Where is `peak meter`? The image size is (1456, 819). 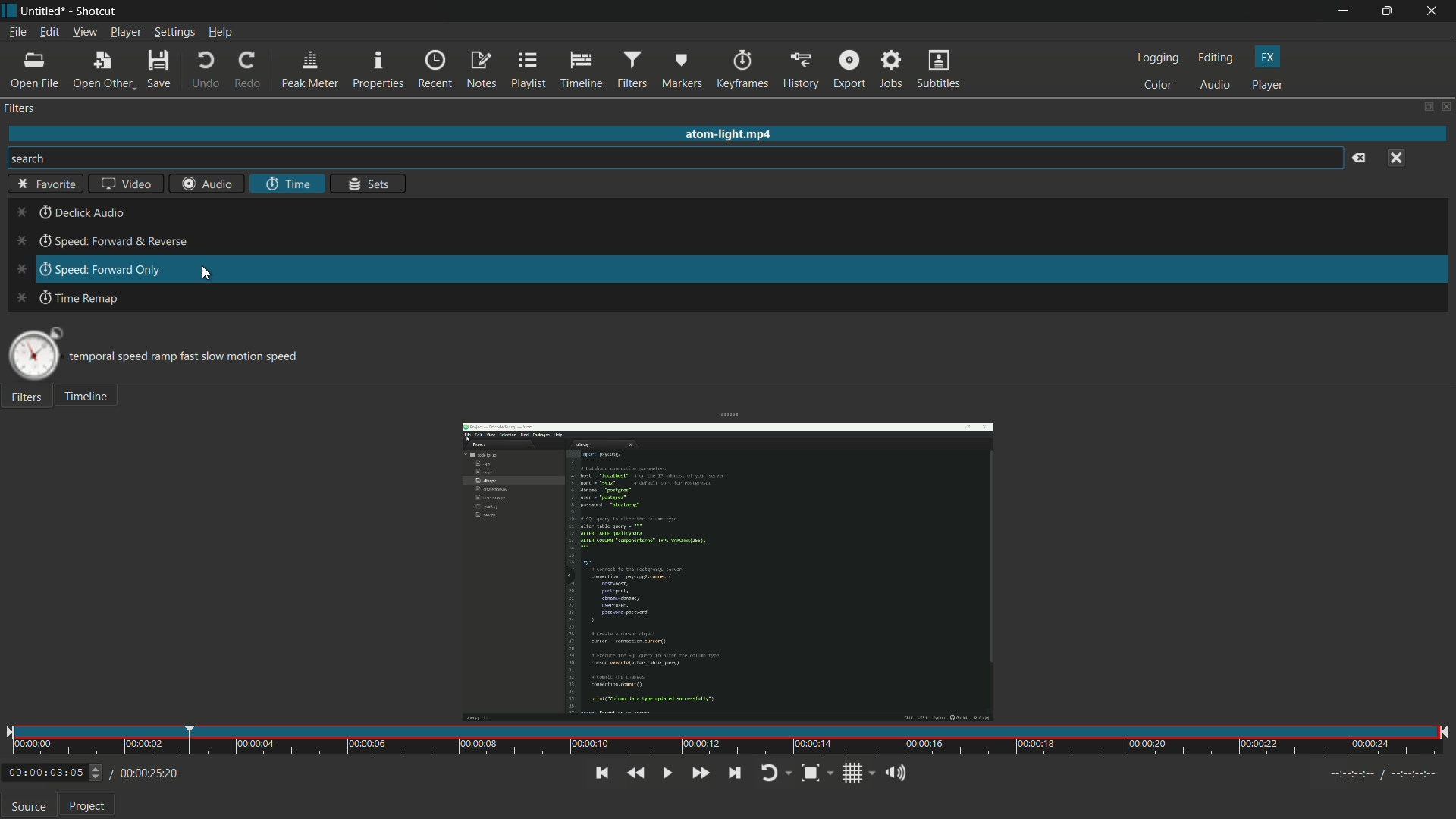
peak meter is located at coordinates (308, 71).